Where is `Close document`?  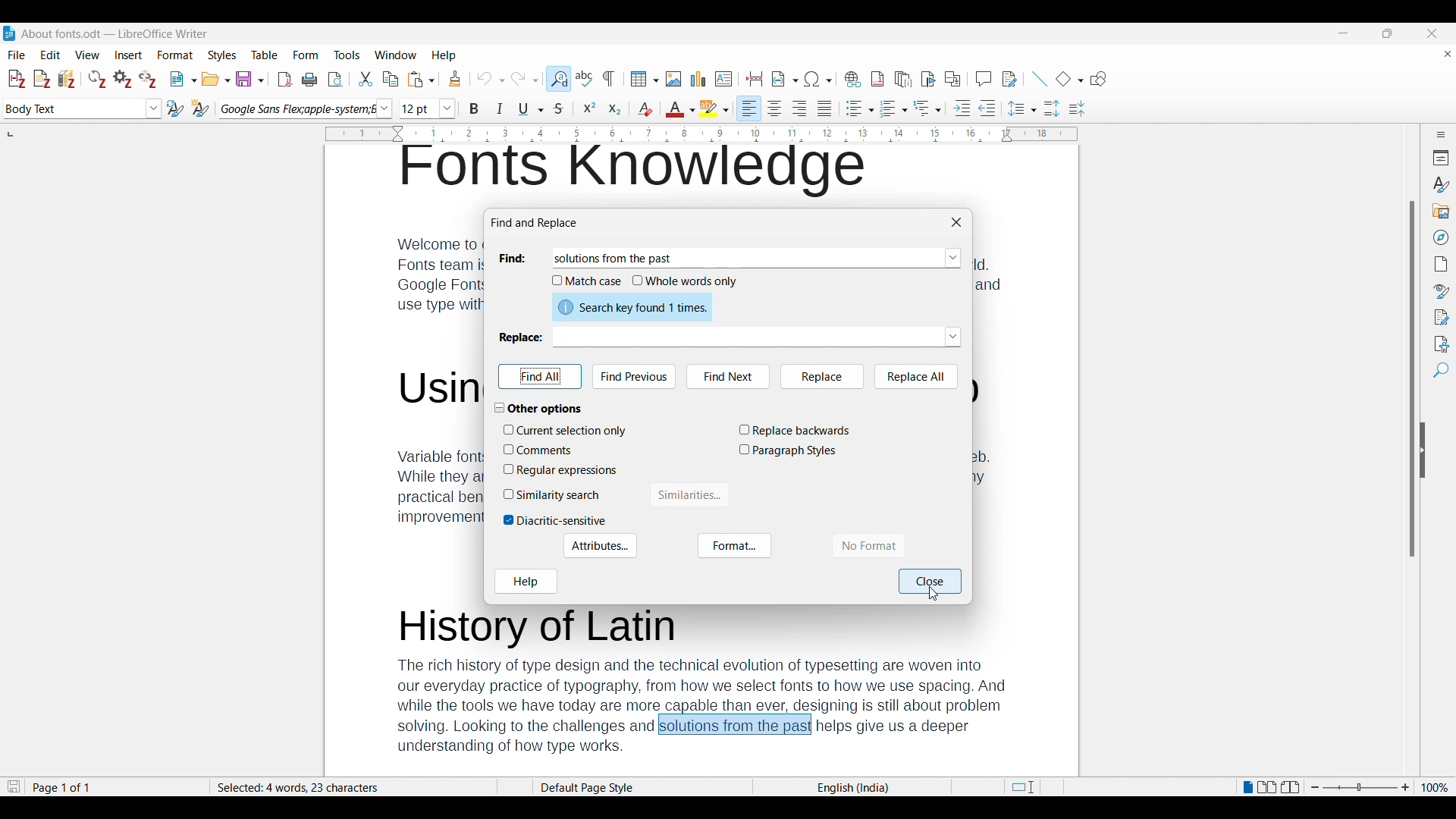 Close document is located at coordinates (1448, 53).